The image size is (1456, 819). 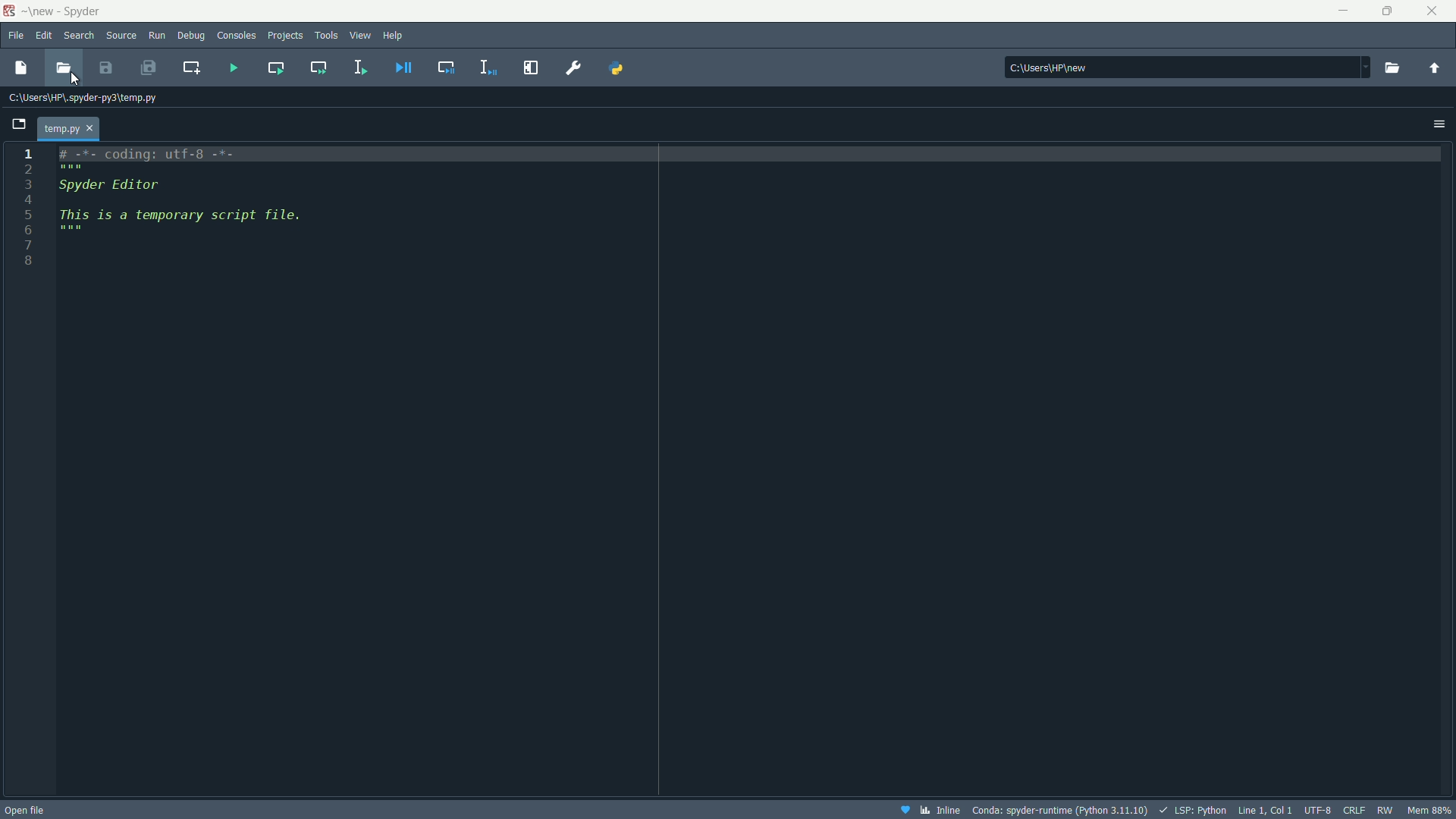 What do you see at coordinates (152, 70) in the screenshot?
I see `Save all files` at bounding box center [152, 70].